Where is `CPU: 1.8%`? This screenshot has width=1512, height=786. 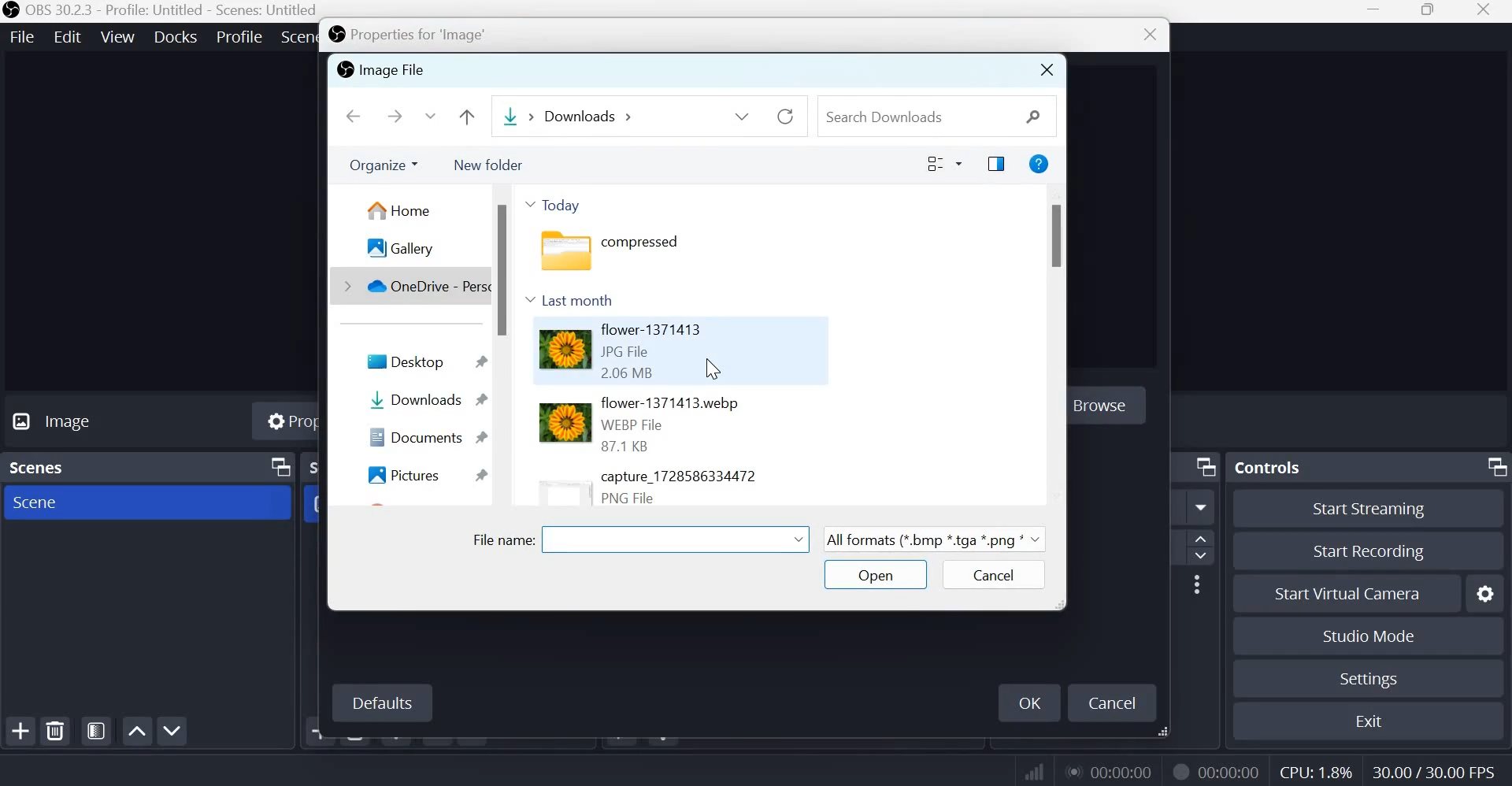
CPU: 1.8% is located at coordinates (1314, 769).